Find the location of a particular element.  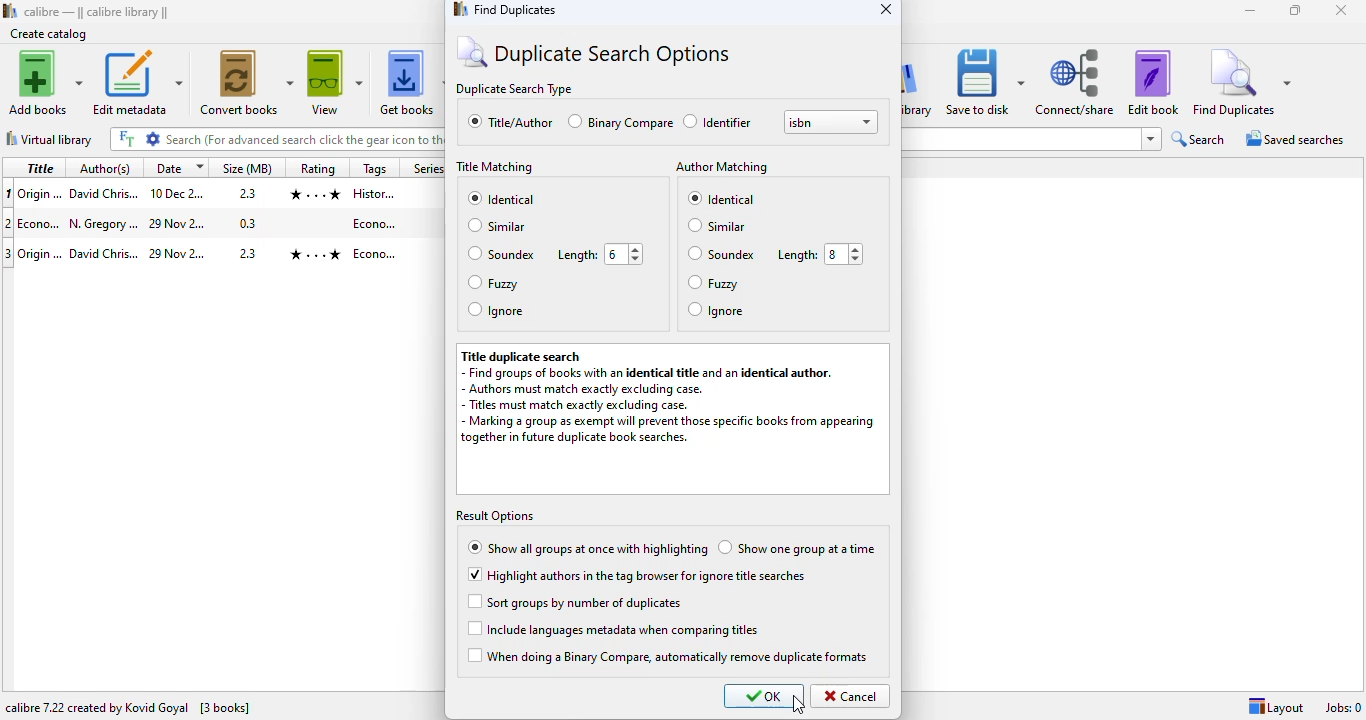

OK is located at coordinates (765, 696).